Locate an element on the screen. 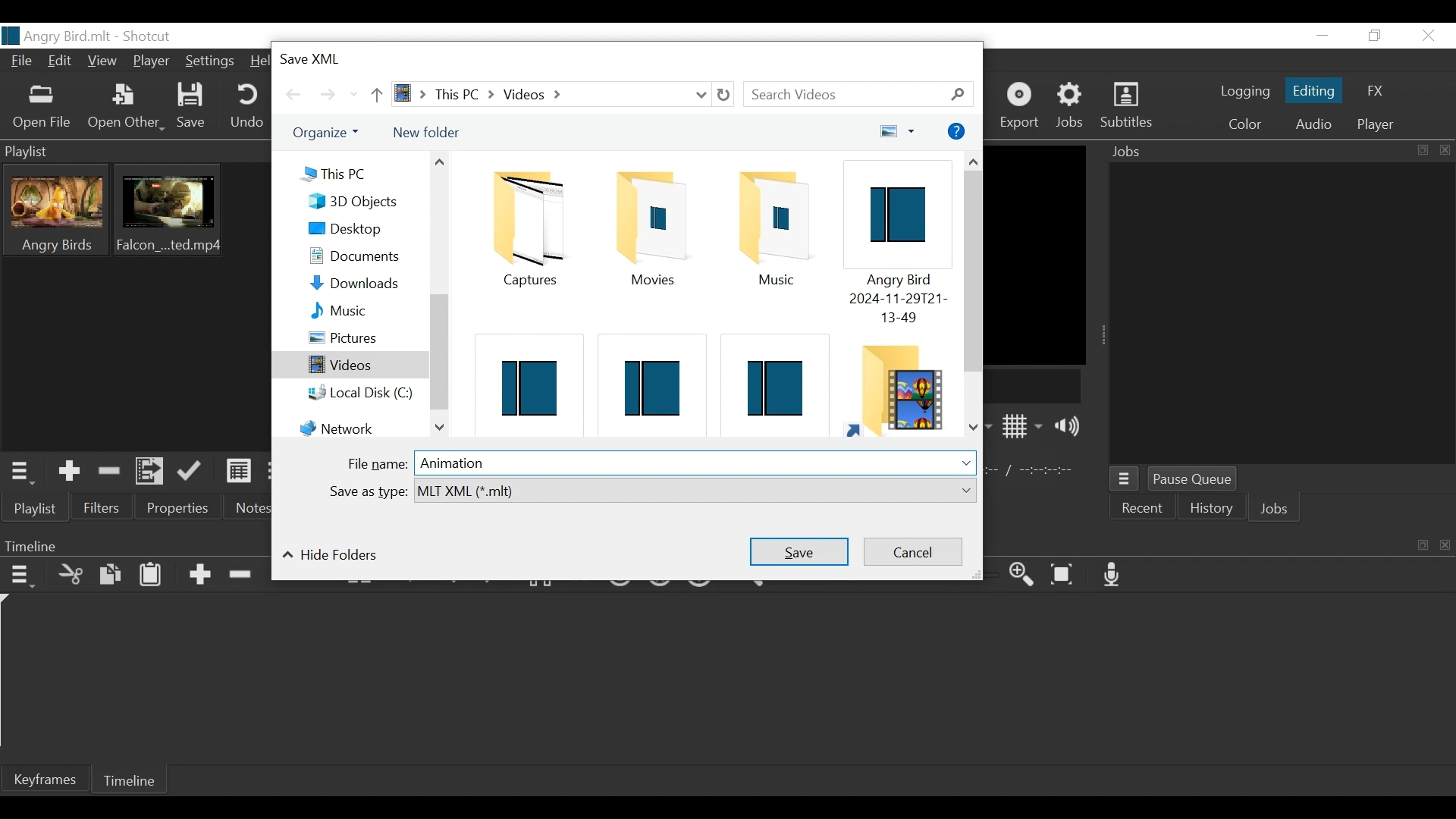 This screenshot has width=1456, height=819. Musiic is located at coordinates (775, 228).